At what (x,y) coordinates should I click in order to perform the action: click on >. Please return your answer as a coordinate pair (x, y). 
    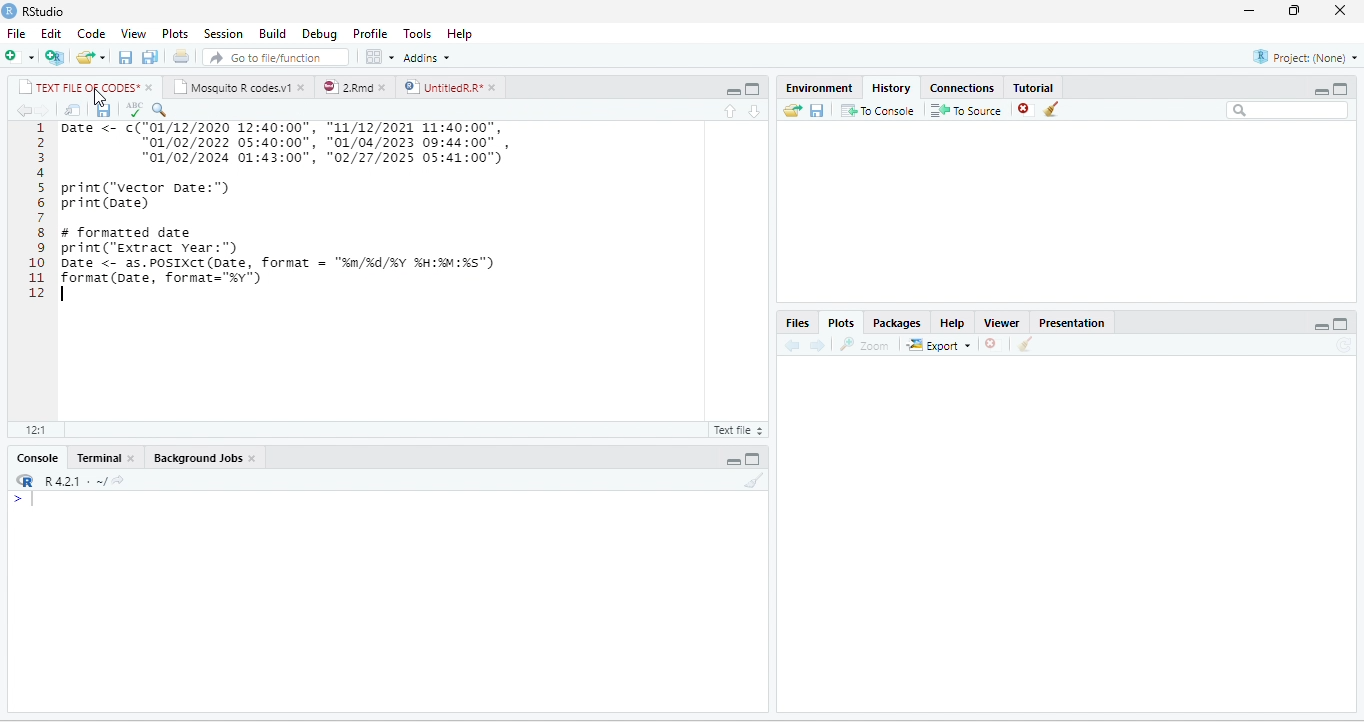
    Looking at the image, I should click on (24, 500).